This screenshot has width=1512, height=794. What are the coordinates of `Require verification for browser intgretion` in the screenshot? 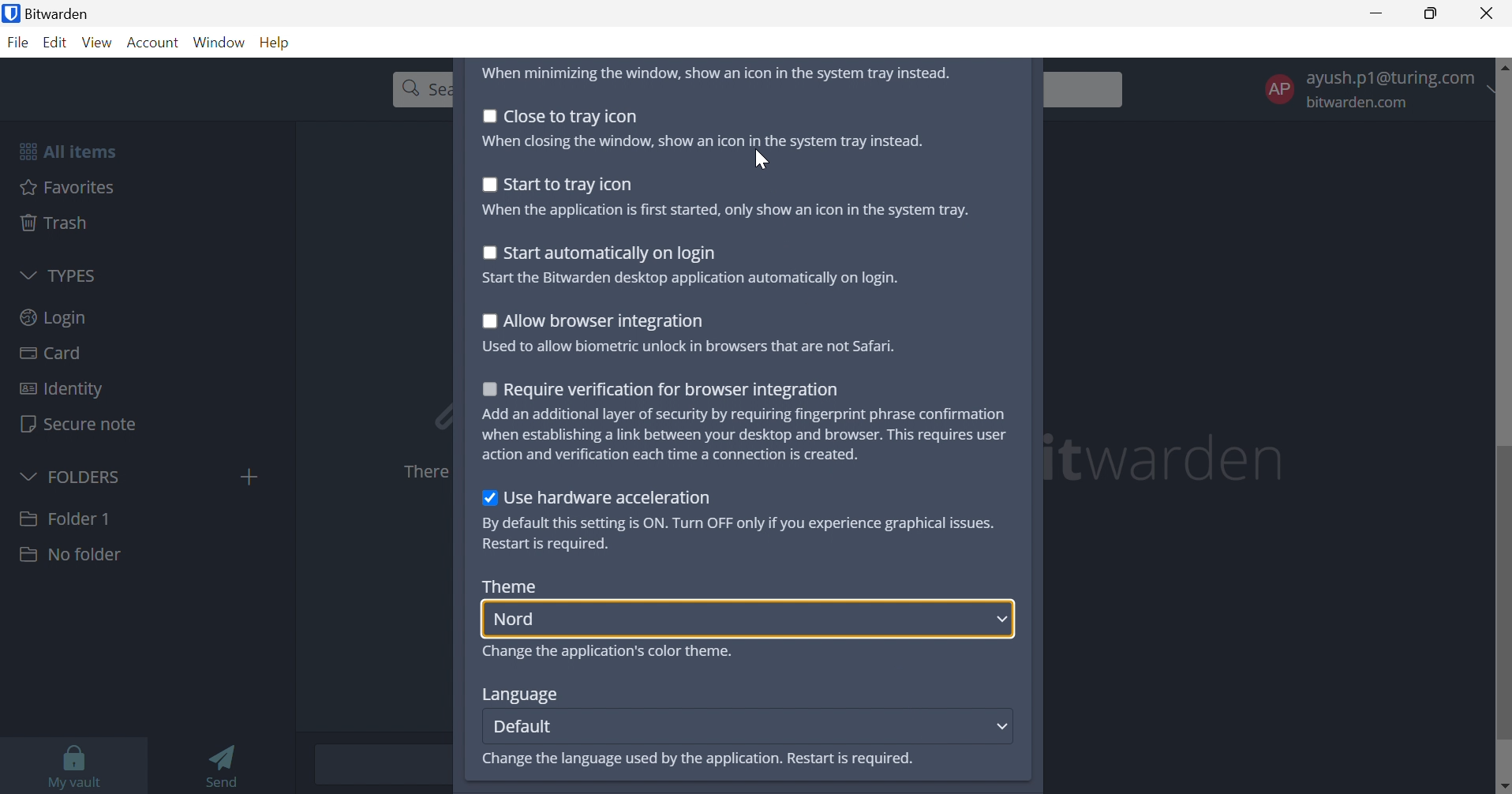 It's located at (672, 391).